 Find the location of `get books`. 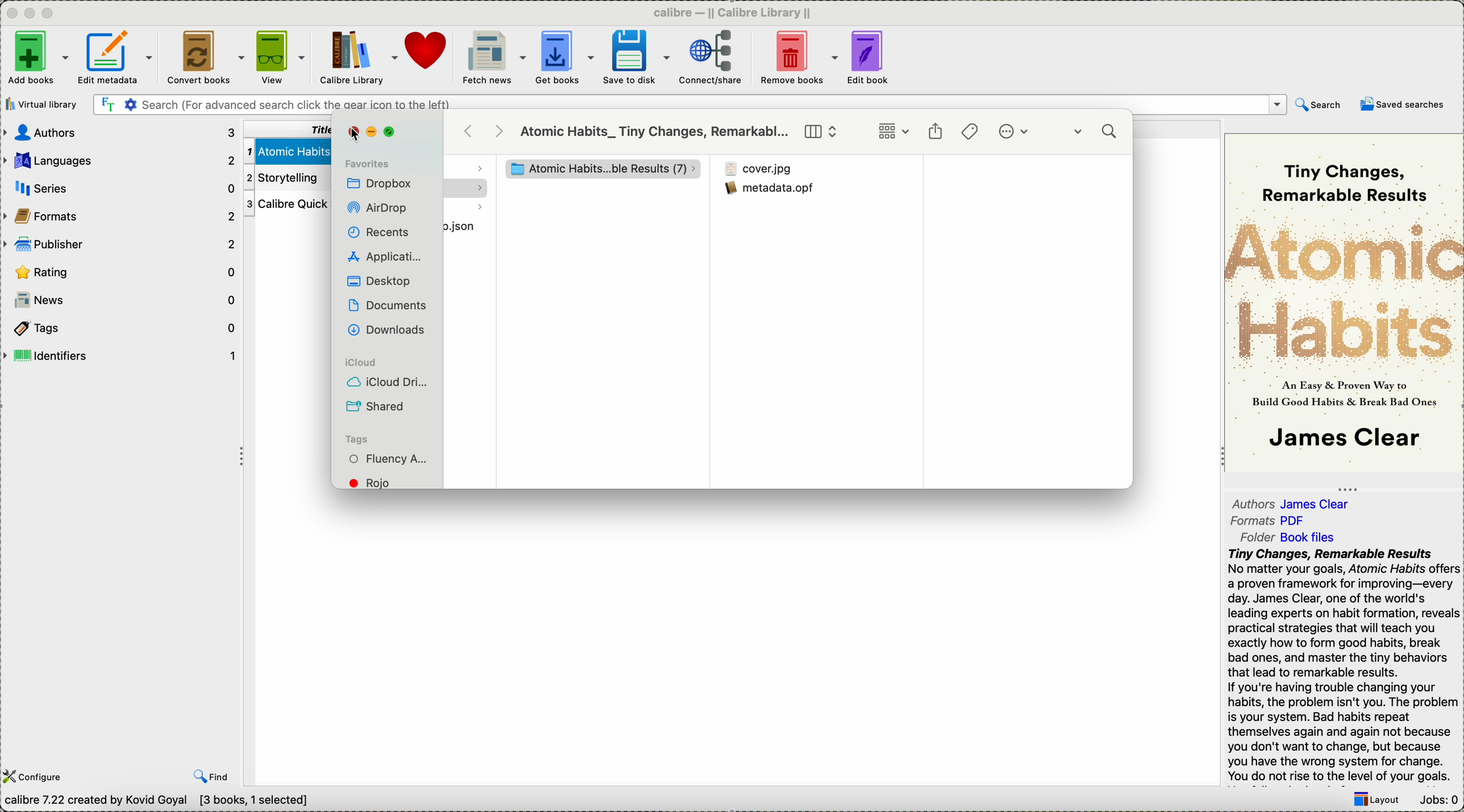

get books is located at coordinates (564, 59).